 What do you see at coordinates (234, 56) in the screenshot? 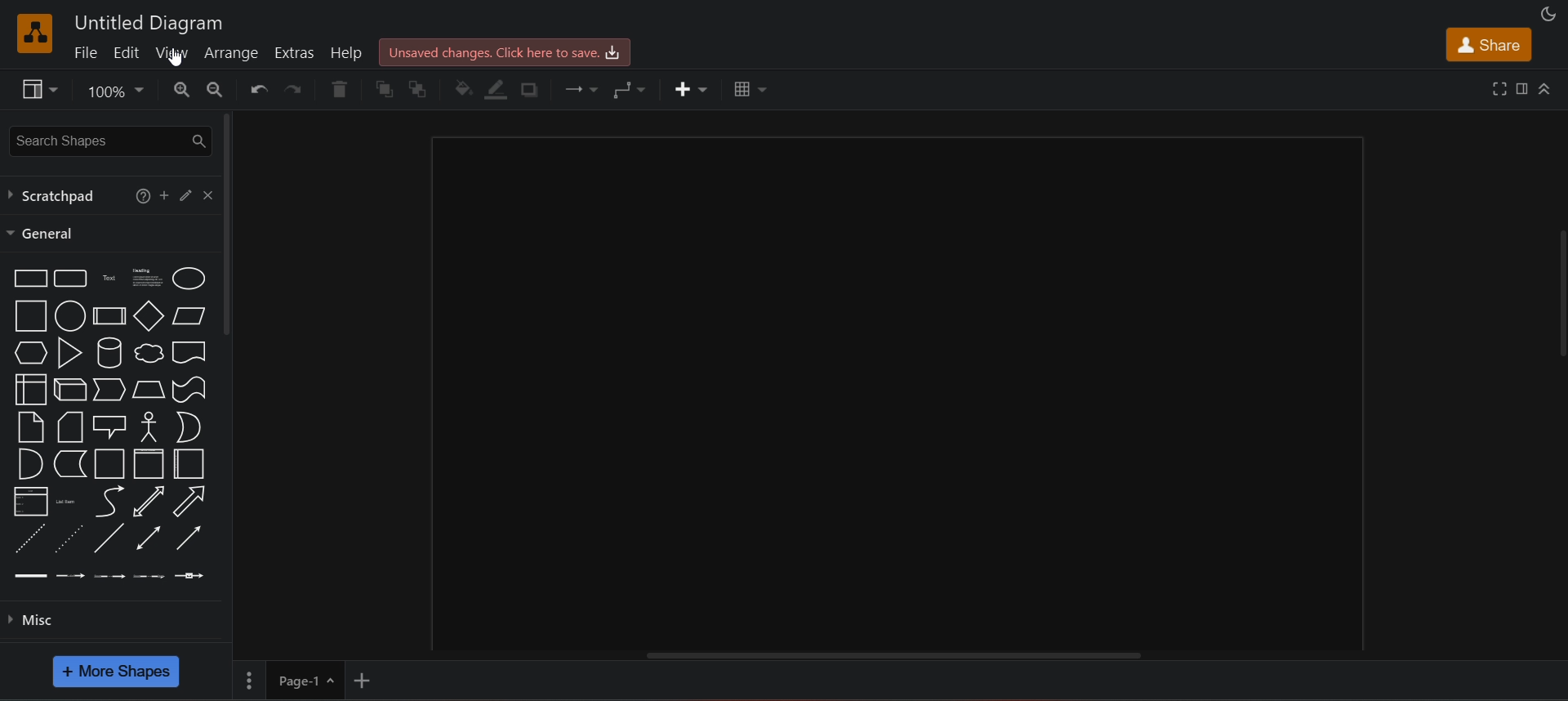
I see `arrange` at bounding box center [234, 56].